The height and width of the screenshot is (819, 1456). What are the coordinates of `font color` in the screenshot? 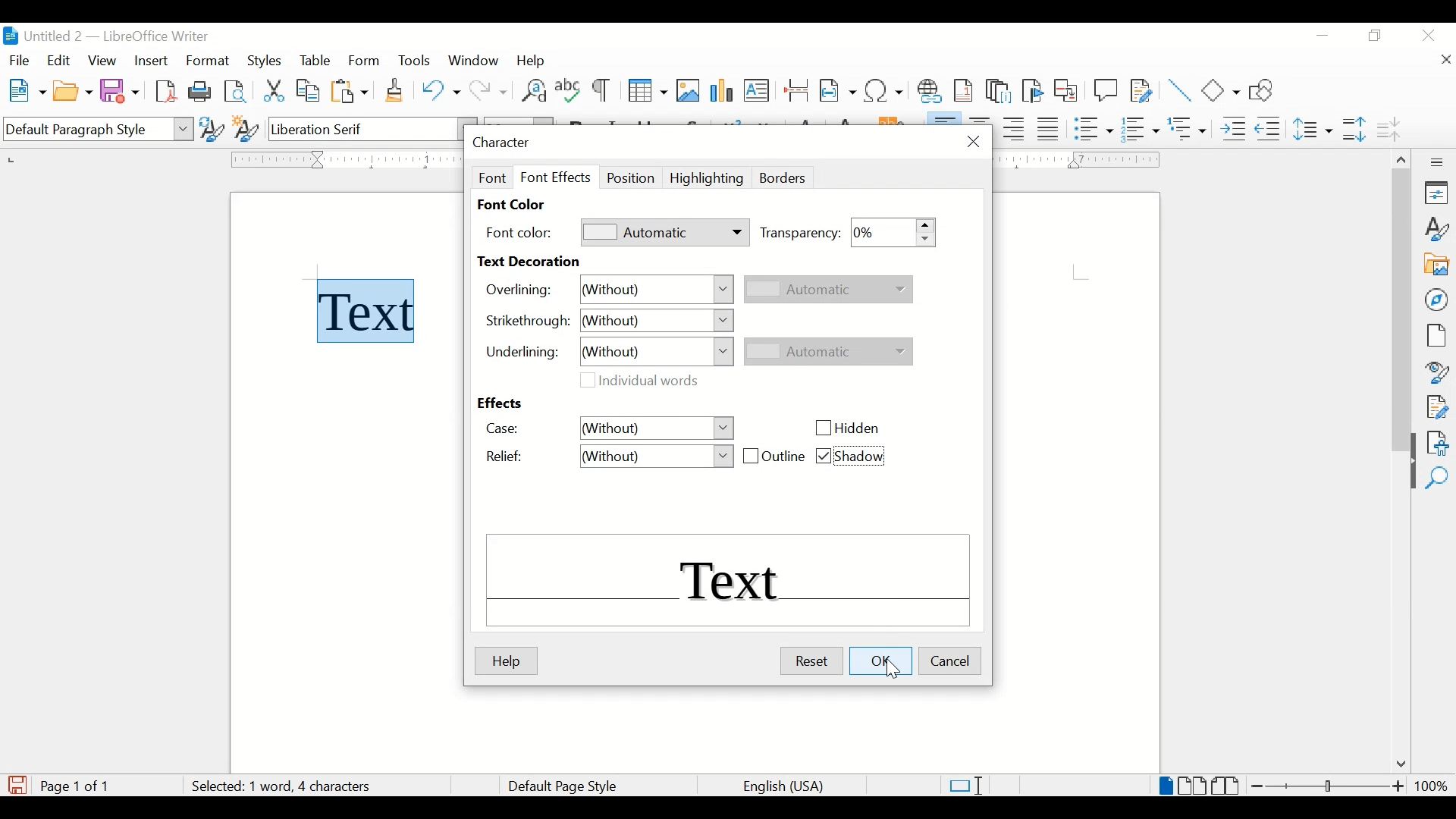 It's located at (512, 206).